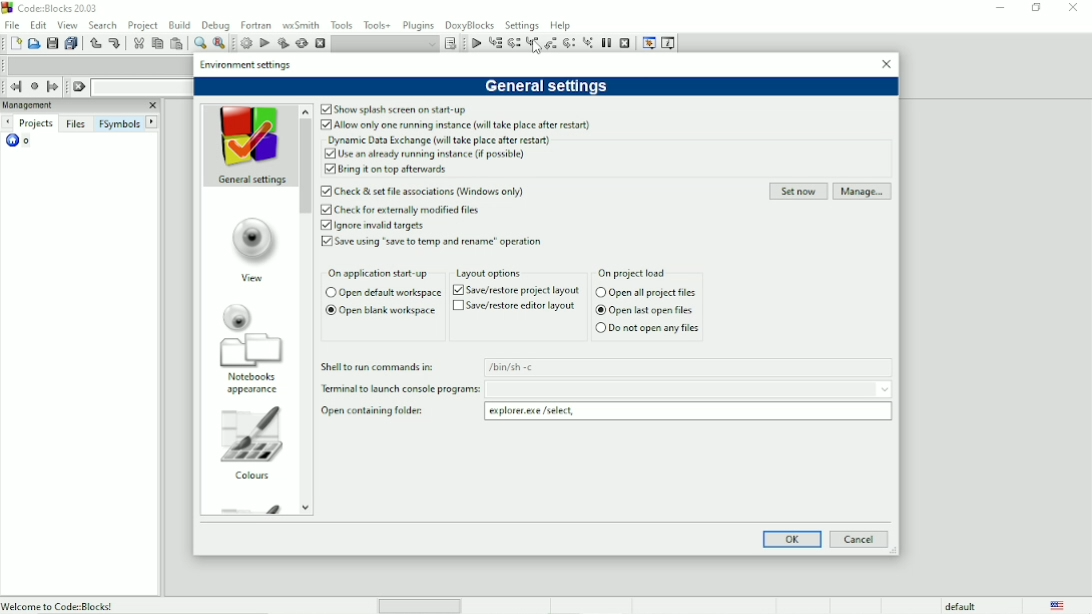  What do you see at coordinates (405, 208) in the screenshot?
I see `Check for externally modified files` at bounding box center [405, 208].